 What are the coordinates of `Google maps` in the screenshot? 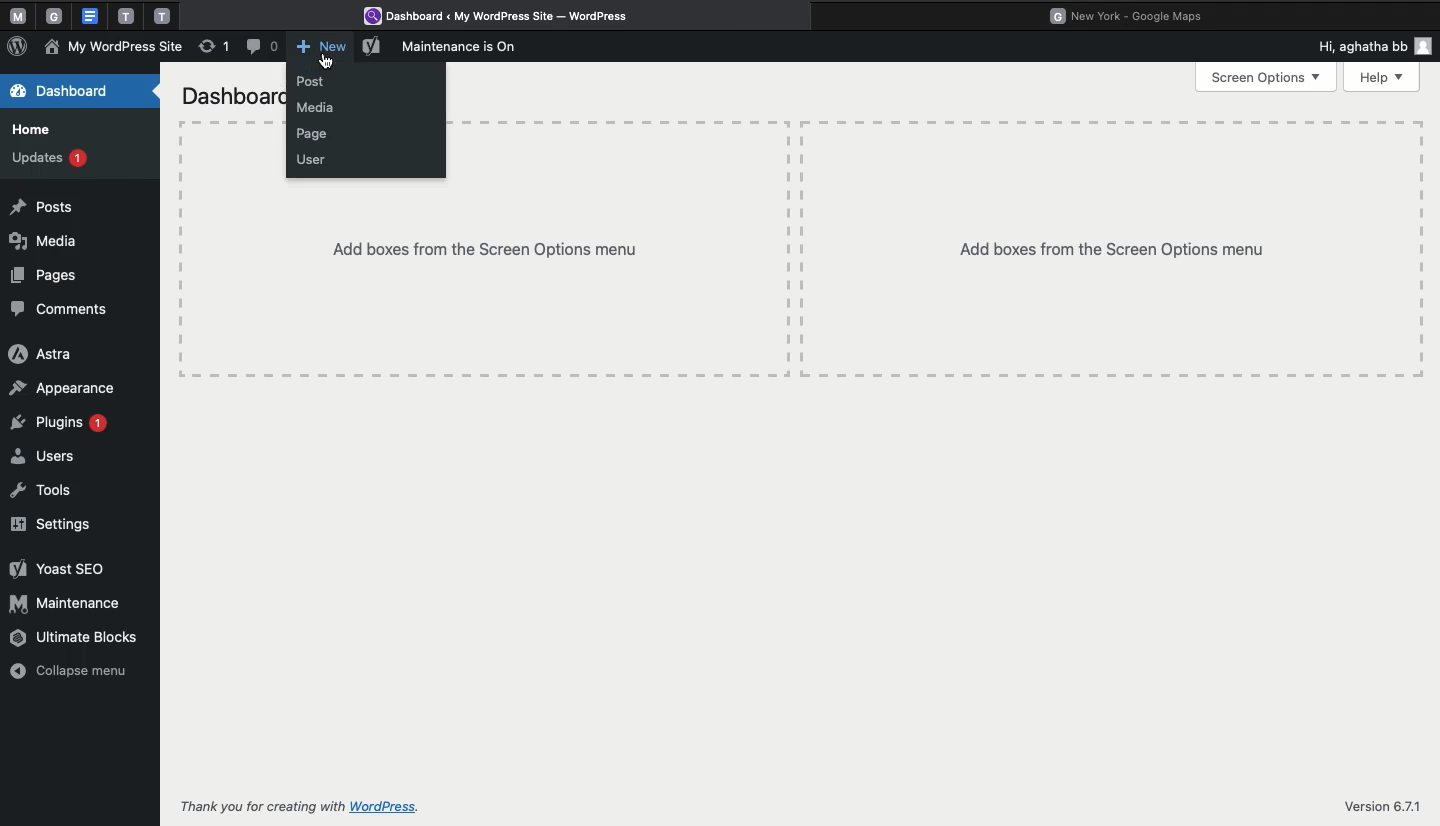 It's located at (1133, 14).